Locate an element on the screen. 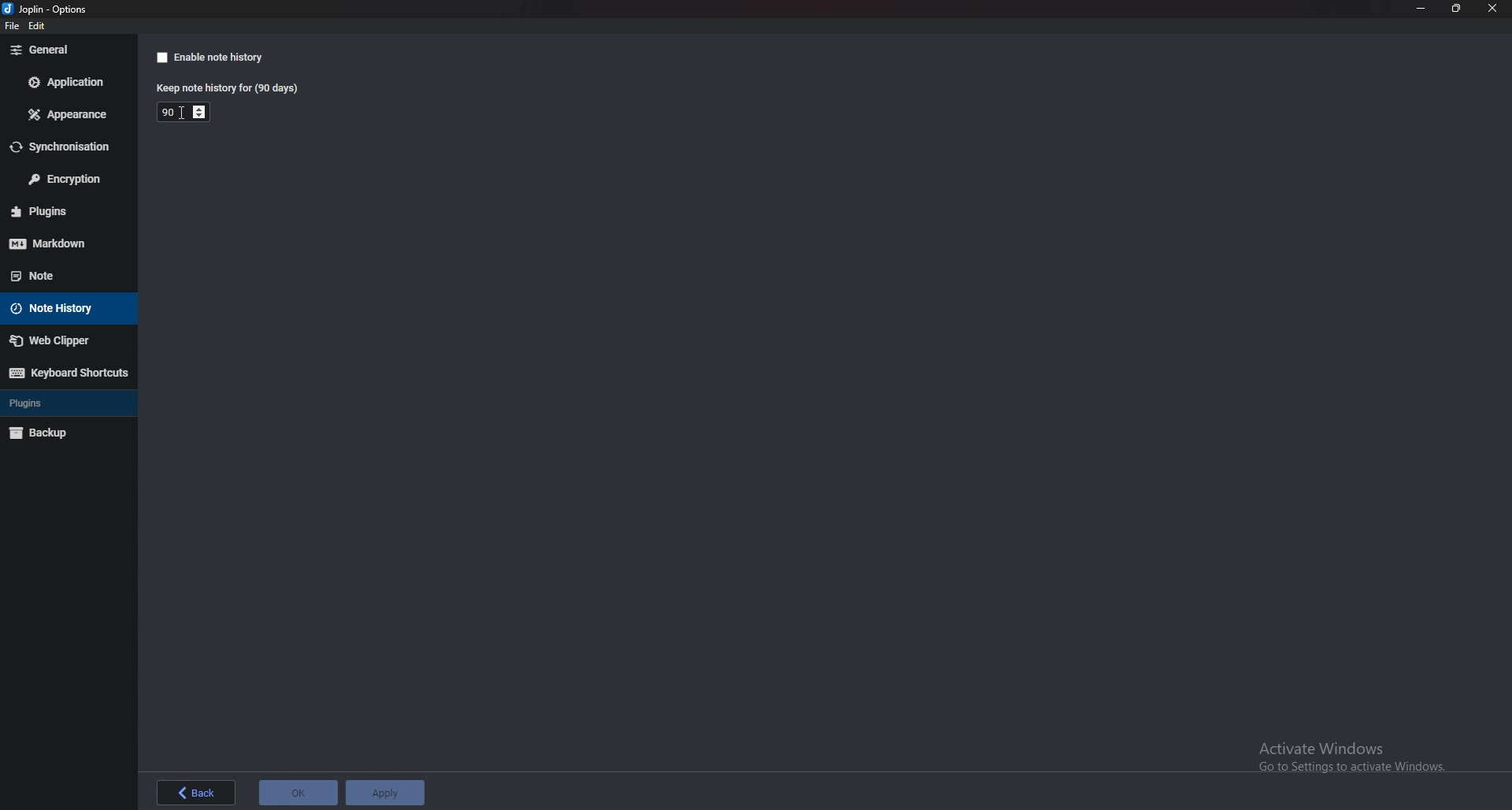  ok is located at coordinates (298, 793).